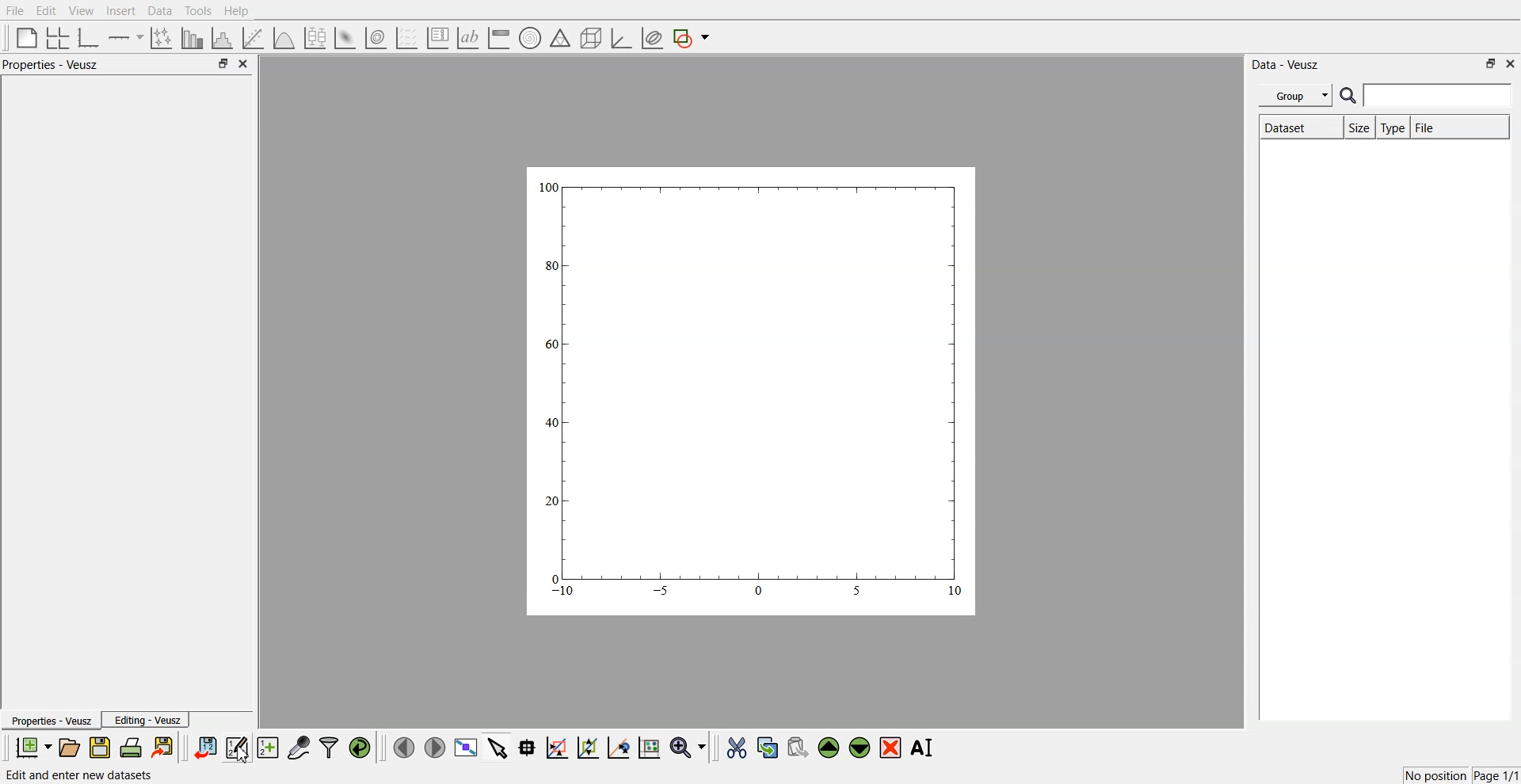  Describe the element at coordinates (1497, 776) in the screenshot. I see `Page 1/1` at that location.